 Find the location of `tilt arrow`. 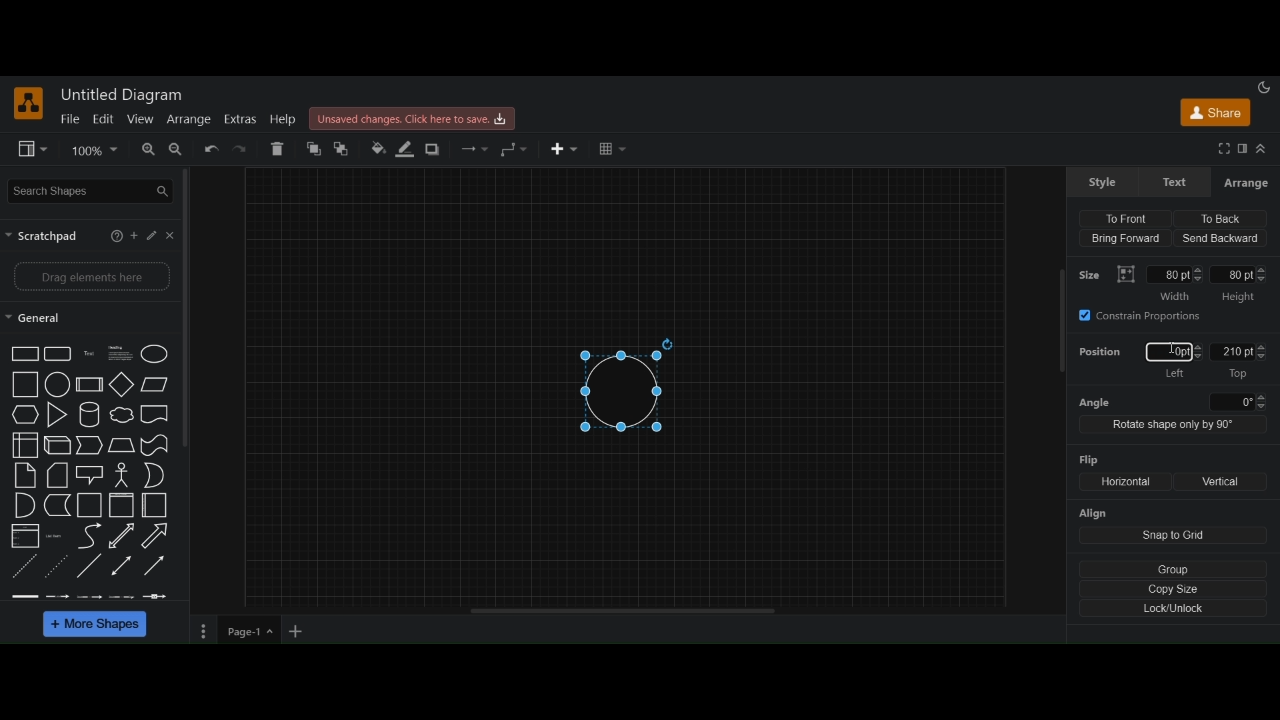

tilt arrow is located at coordinates (122, 536).